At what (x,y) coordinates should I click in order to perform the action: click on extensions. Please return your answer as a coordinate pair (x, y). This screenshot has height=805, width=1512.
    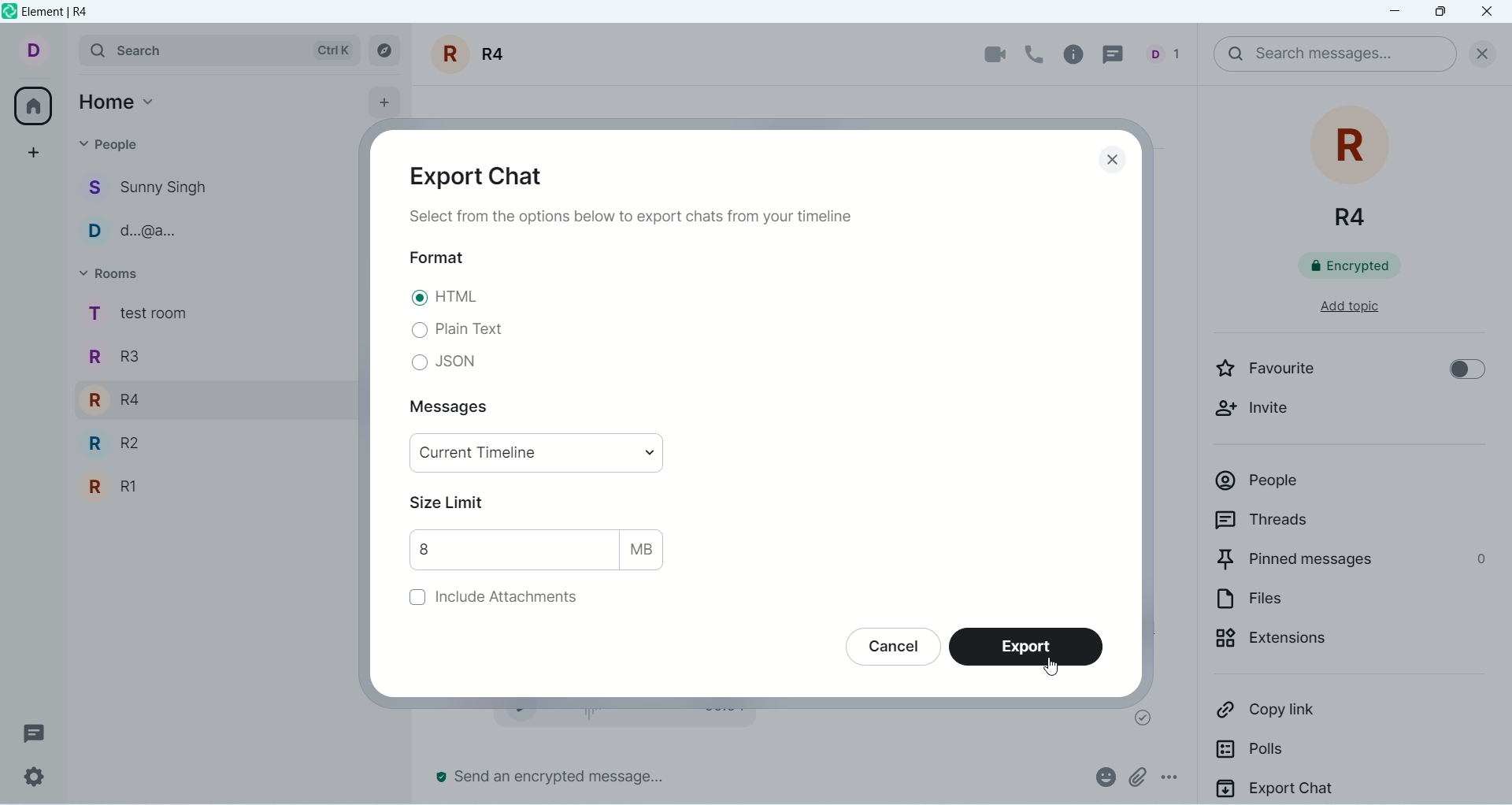
    Looking at the image, I should click on (1327, 643).